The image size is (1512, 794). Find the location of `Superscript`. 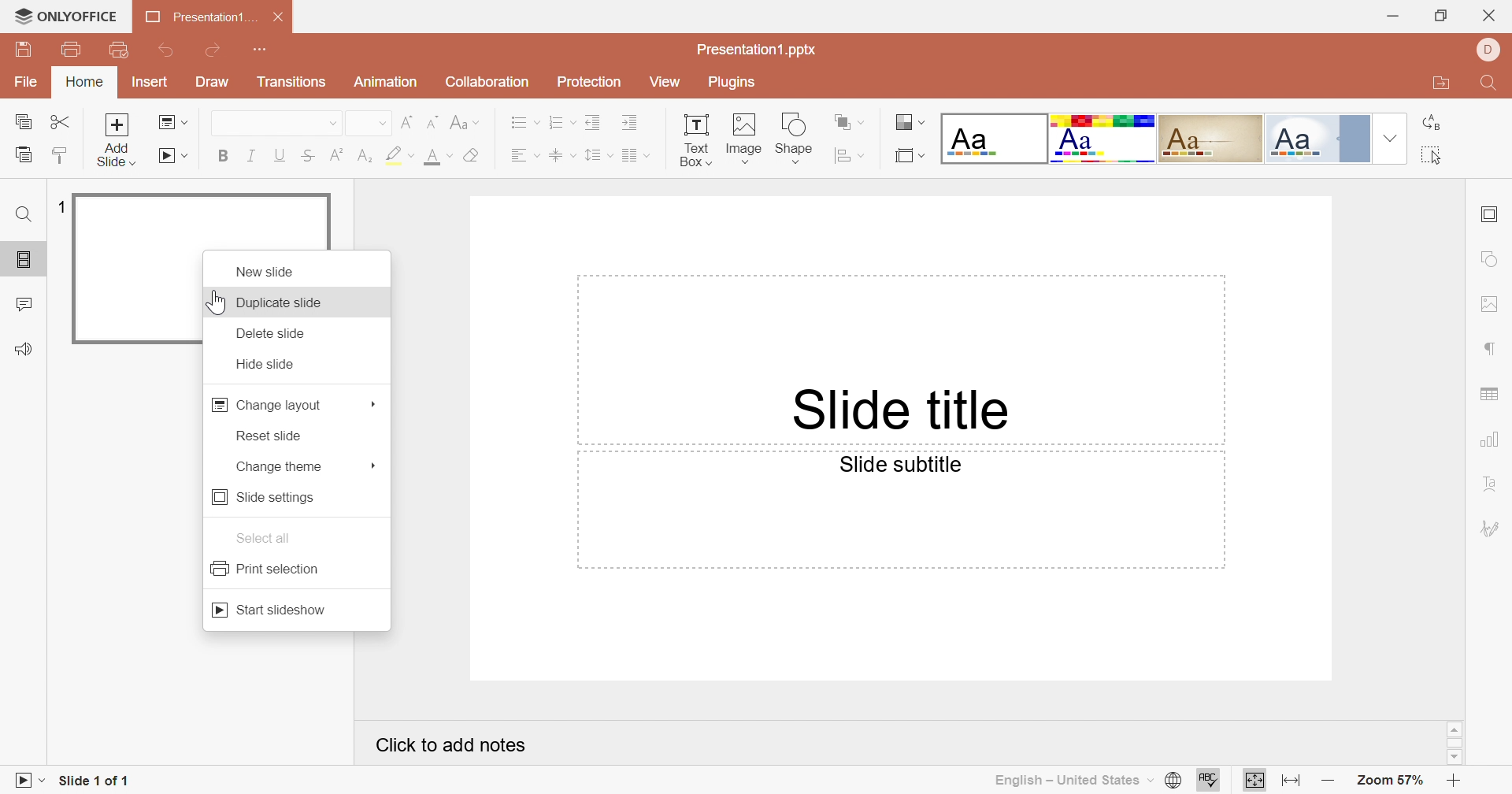

Superscript is located at coordinates (337, 156).